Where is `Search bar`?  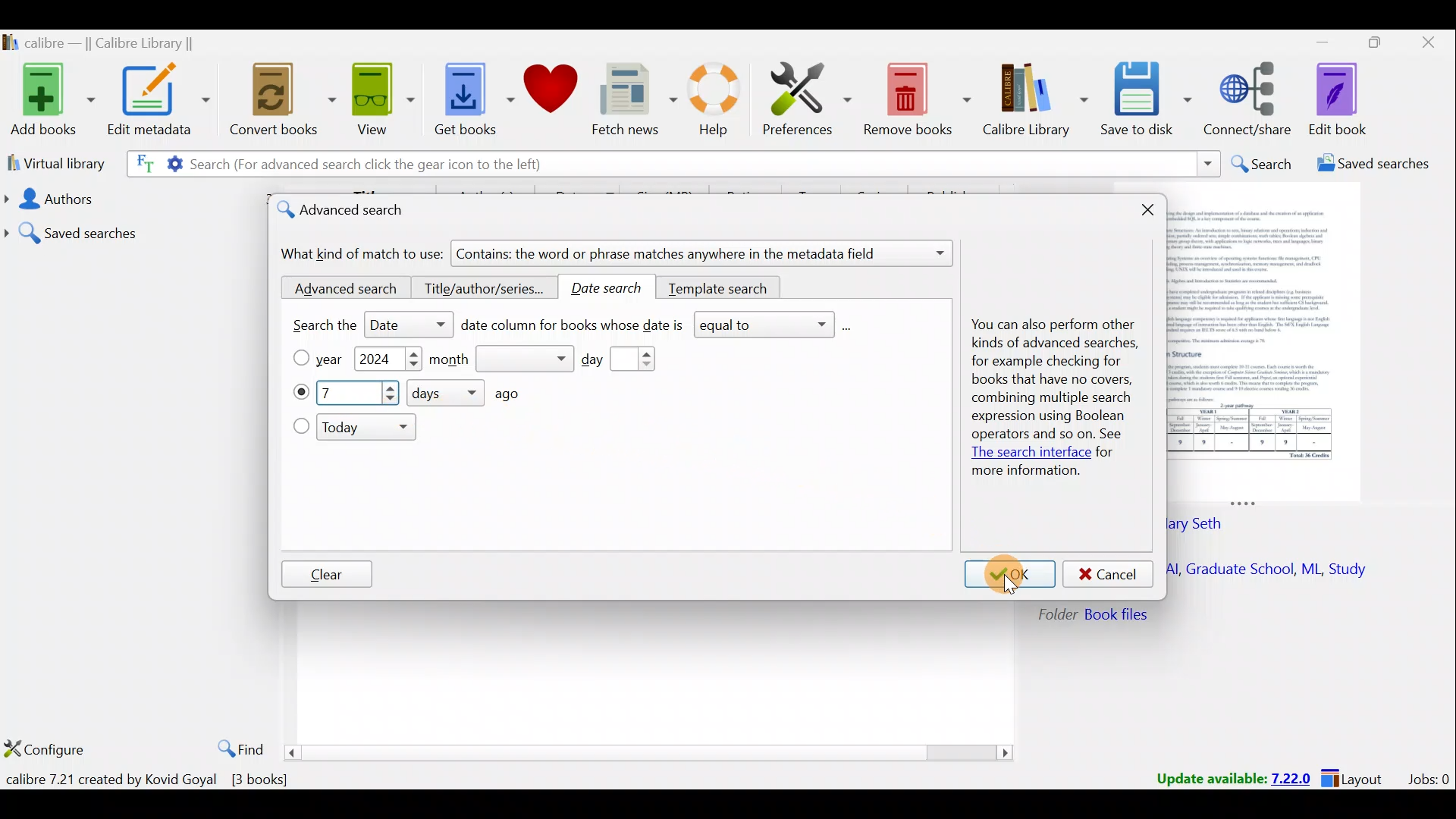 Search bar is located at coordinates (883, 163).